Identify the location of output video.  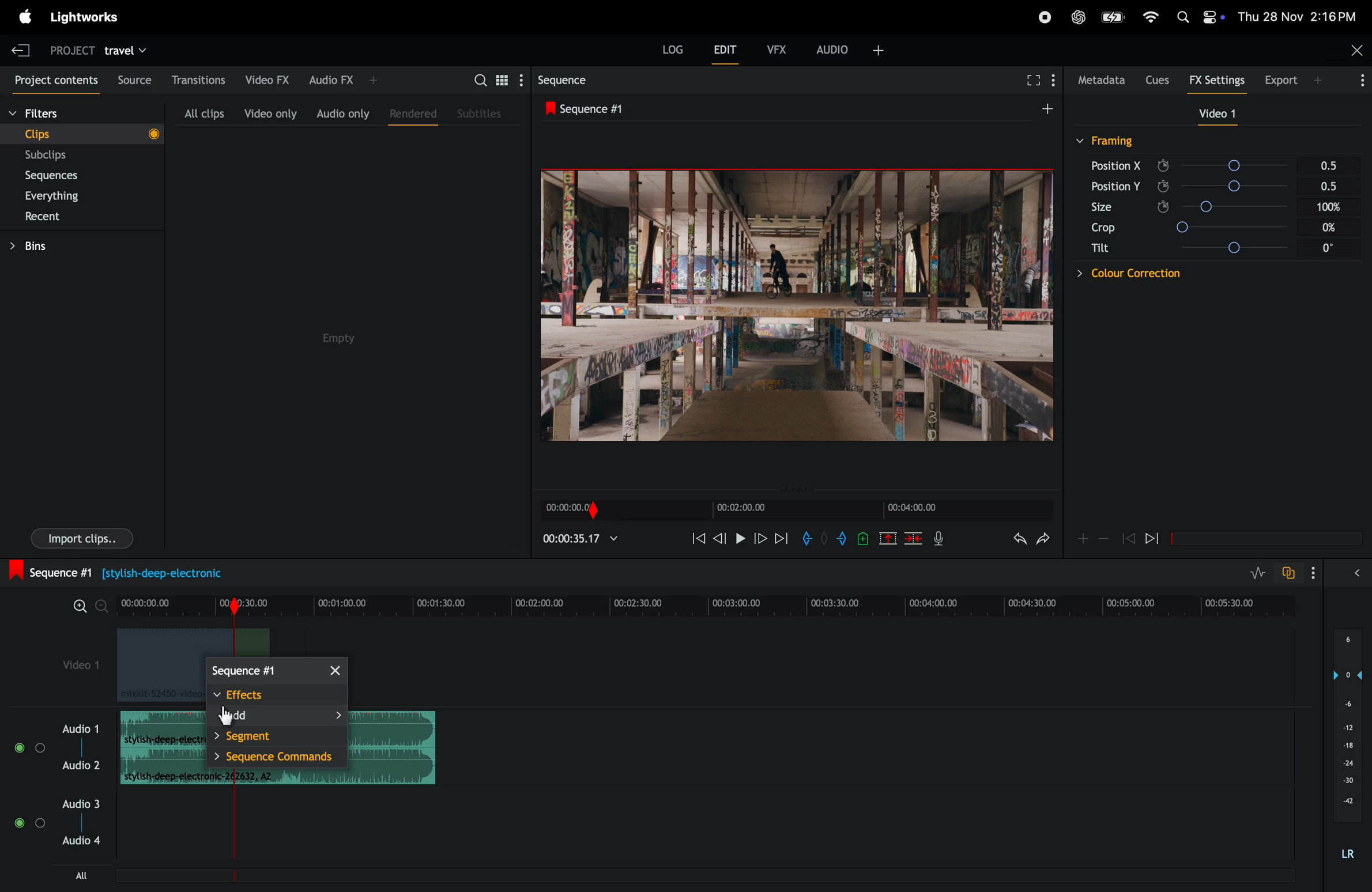
(796, 306).